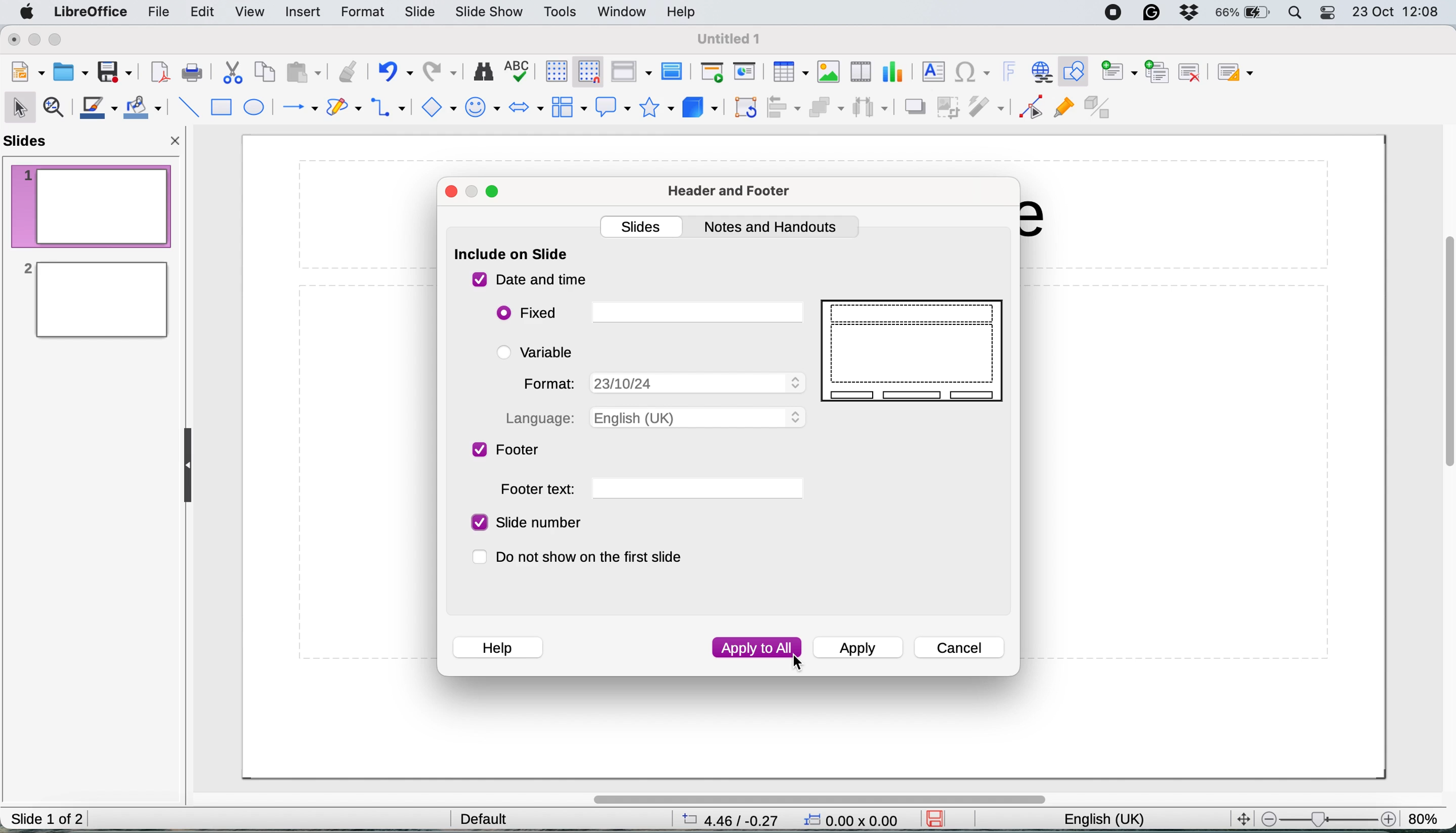  Describe the element at coordinates (234, 75) in the screenshot. I see `cut` at that location.